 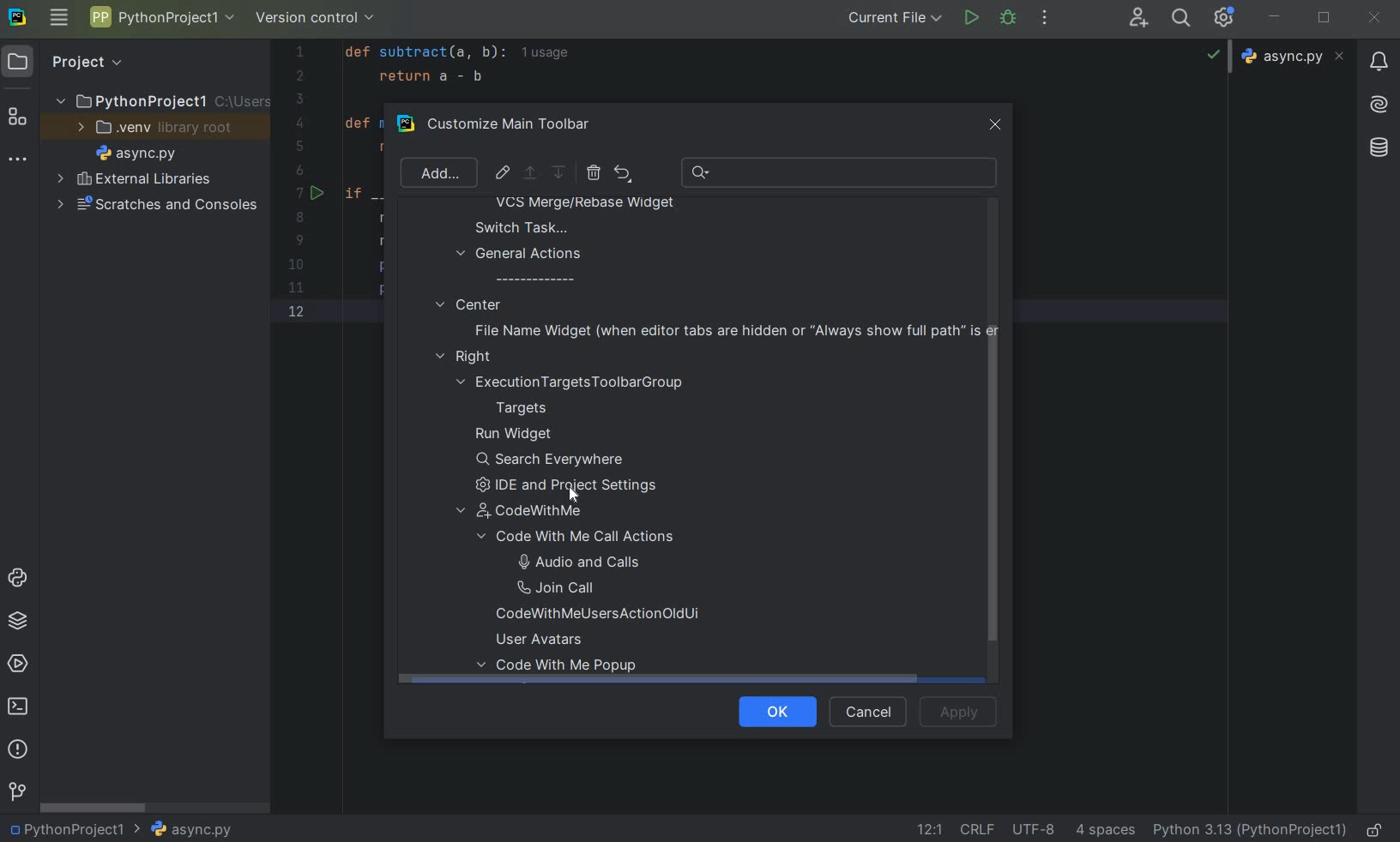 What do you see at coordinates (135, 180) in the screenshot?
I see `EXTERNAL LIBRARIES` at bounding box center [135, 180].